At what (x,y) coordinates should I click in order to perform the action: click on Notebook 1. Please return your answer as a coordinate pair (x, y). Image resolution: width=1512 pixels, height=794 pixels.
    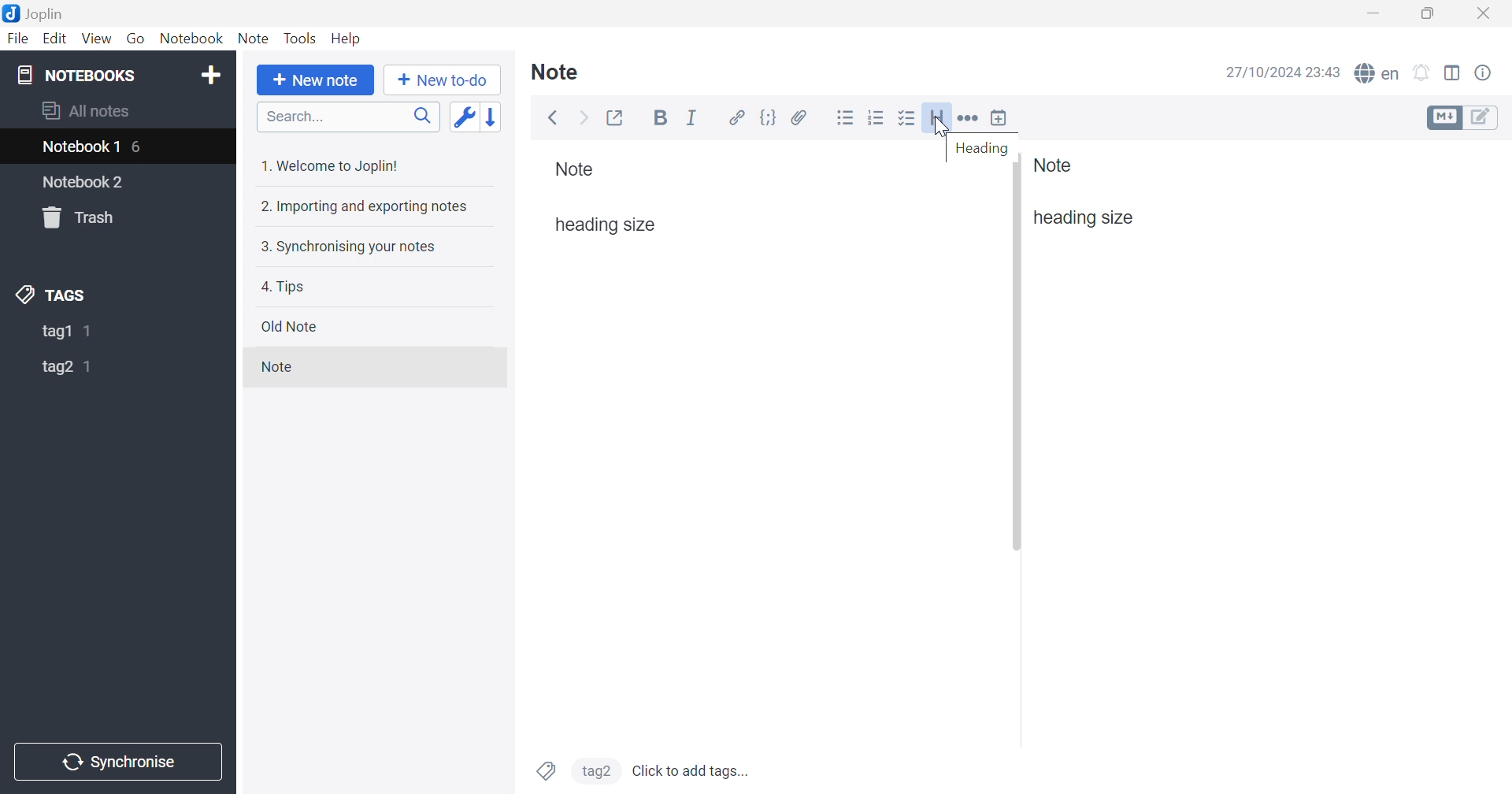
    Looking at the image, I should click on (83, 147).